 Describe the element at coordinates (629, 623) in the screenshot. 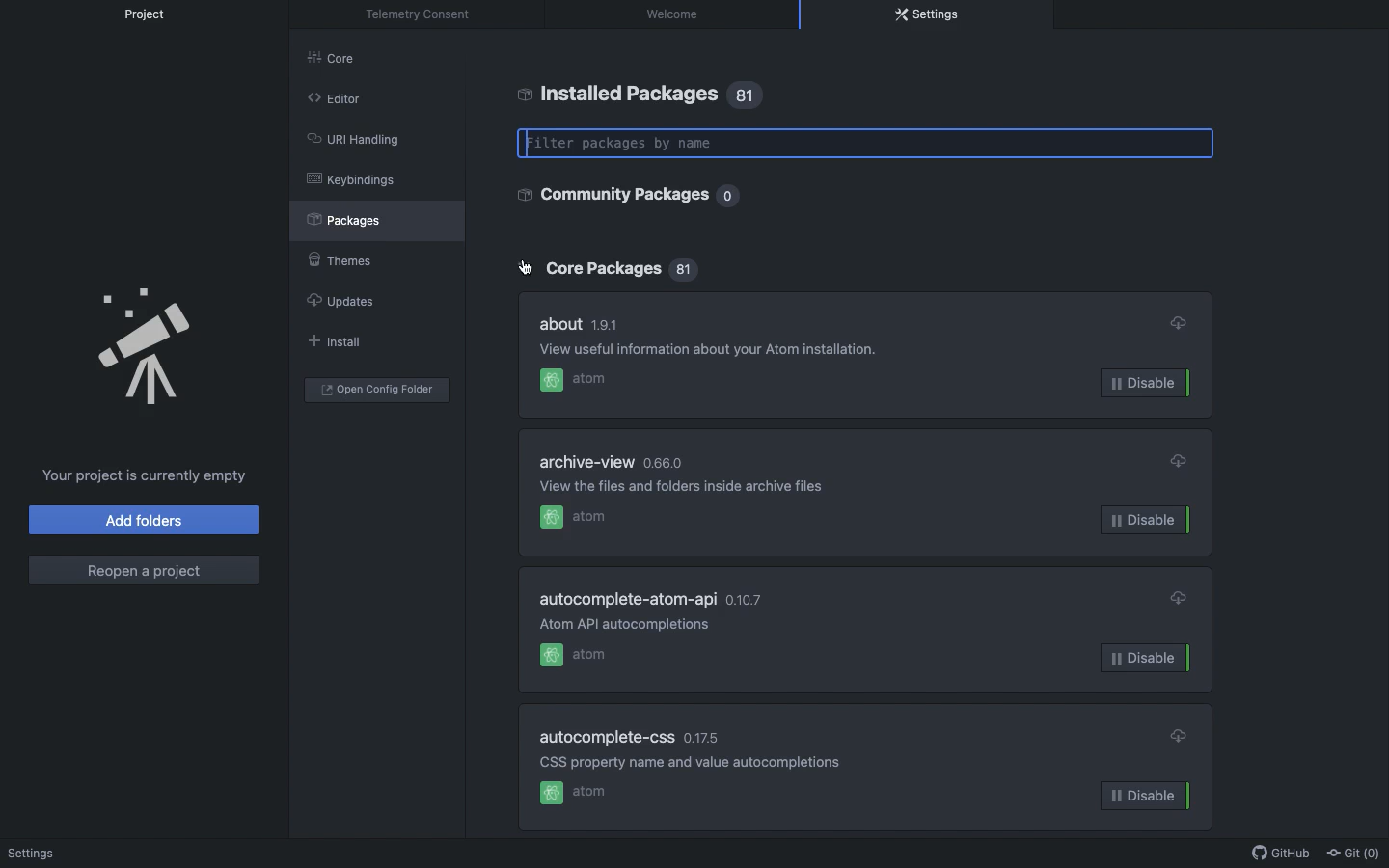

I see `‘Atom API autocompletions` at that location.